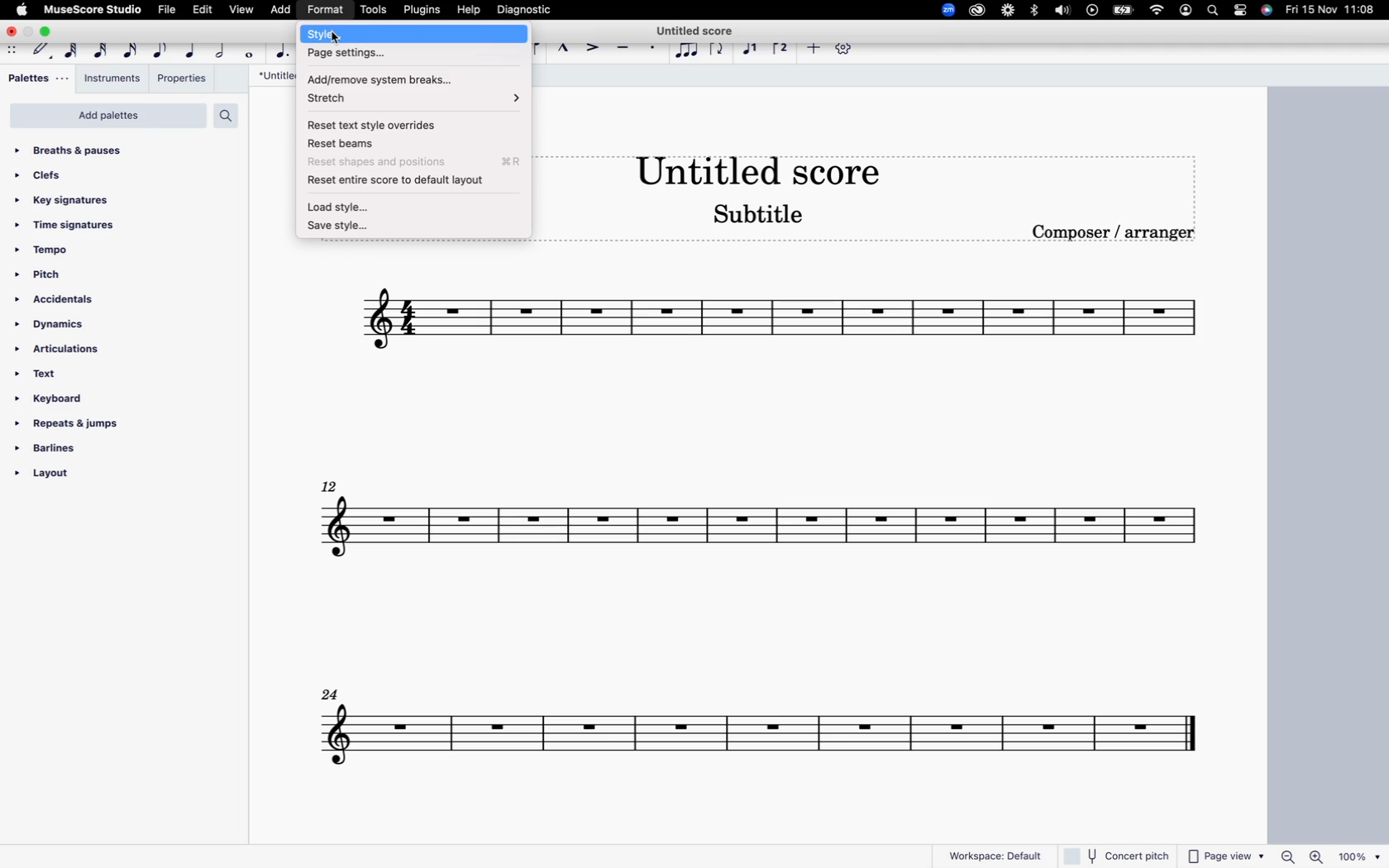  I want to click on voice 1, so click(752, 49).